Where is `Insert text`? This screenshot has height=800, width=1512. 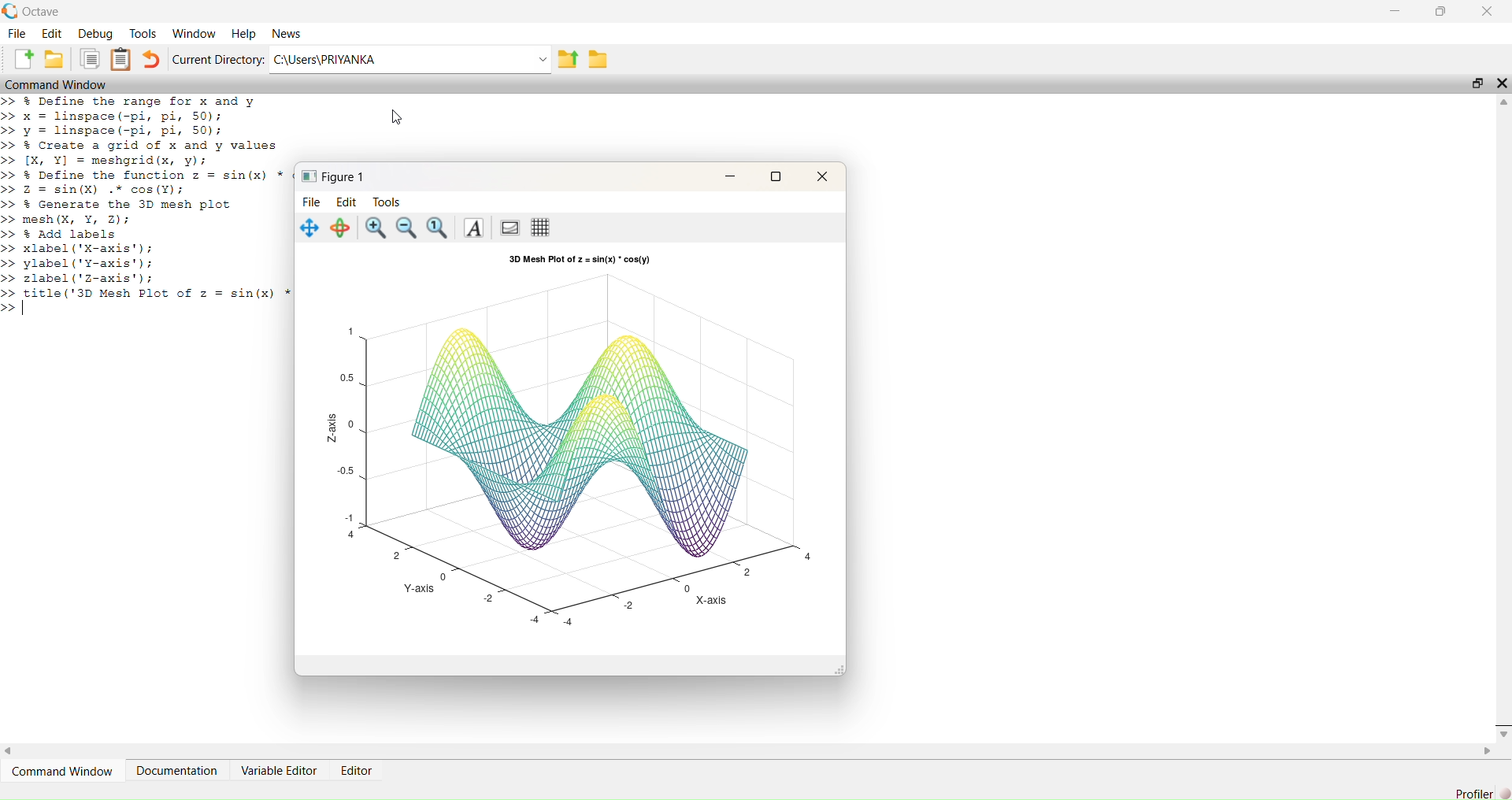 Insert text is located at coordinates (473, 228).